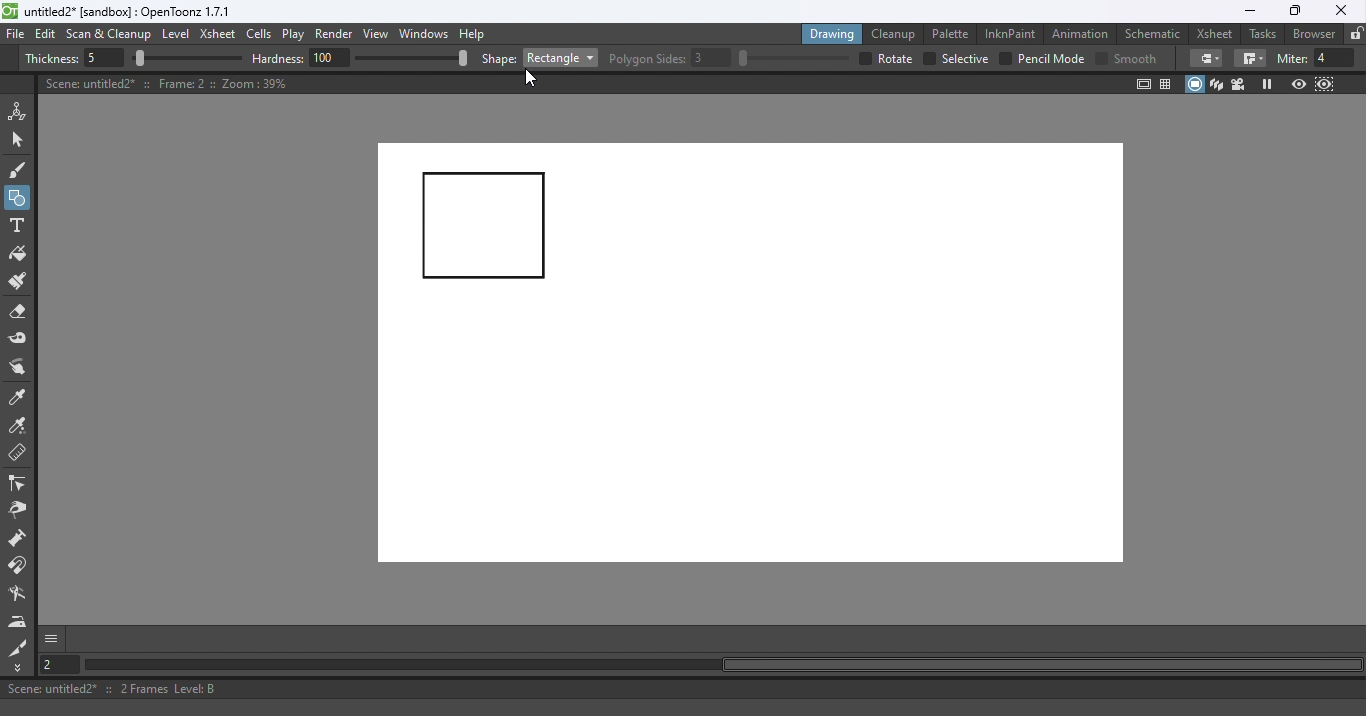 Image resolution: width=1366 pixels, height=716 pixels. I want to click on 5, so click(101, 59).